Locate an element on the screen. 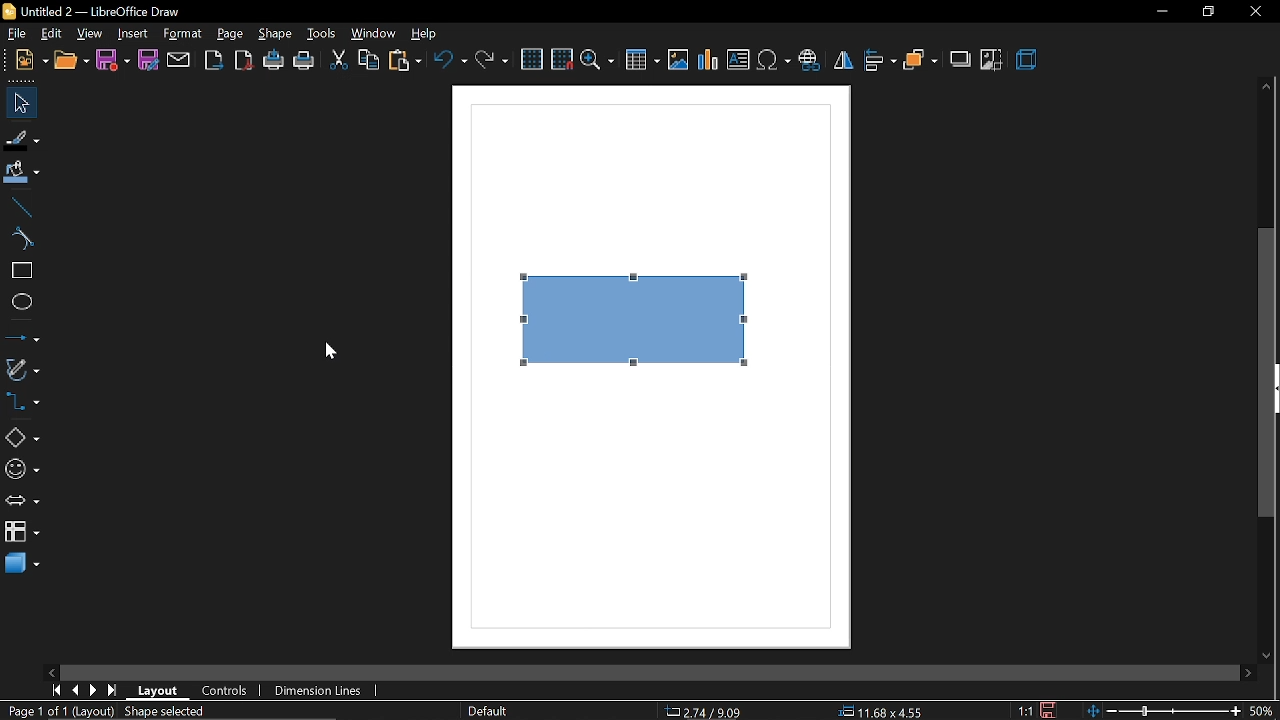 The height and width of the screenshot is (720, 1280). cut is located at coordinates (338, 61).